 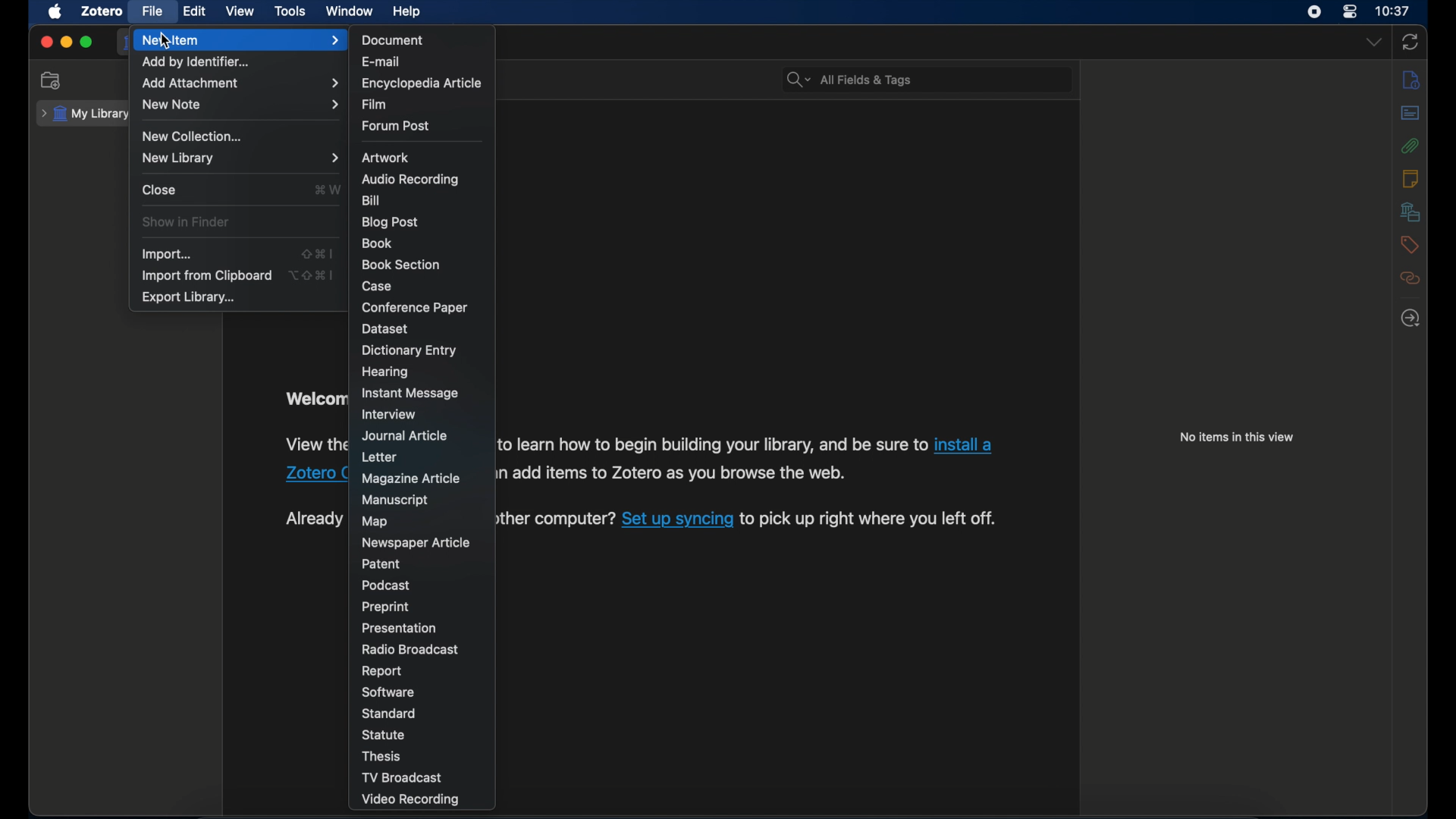 What do you see at coordinates (384, 607) in the screenshot?
I see `preprint` at bounding box center [384, 607].